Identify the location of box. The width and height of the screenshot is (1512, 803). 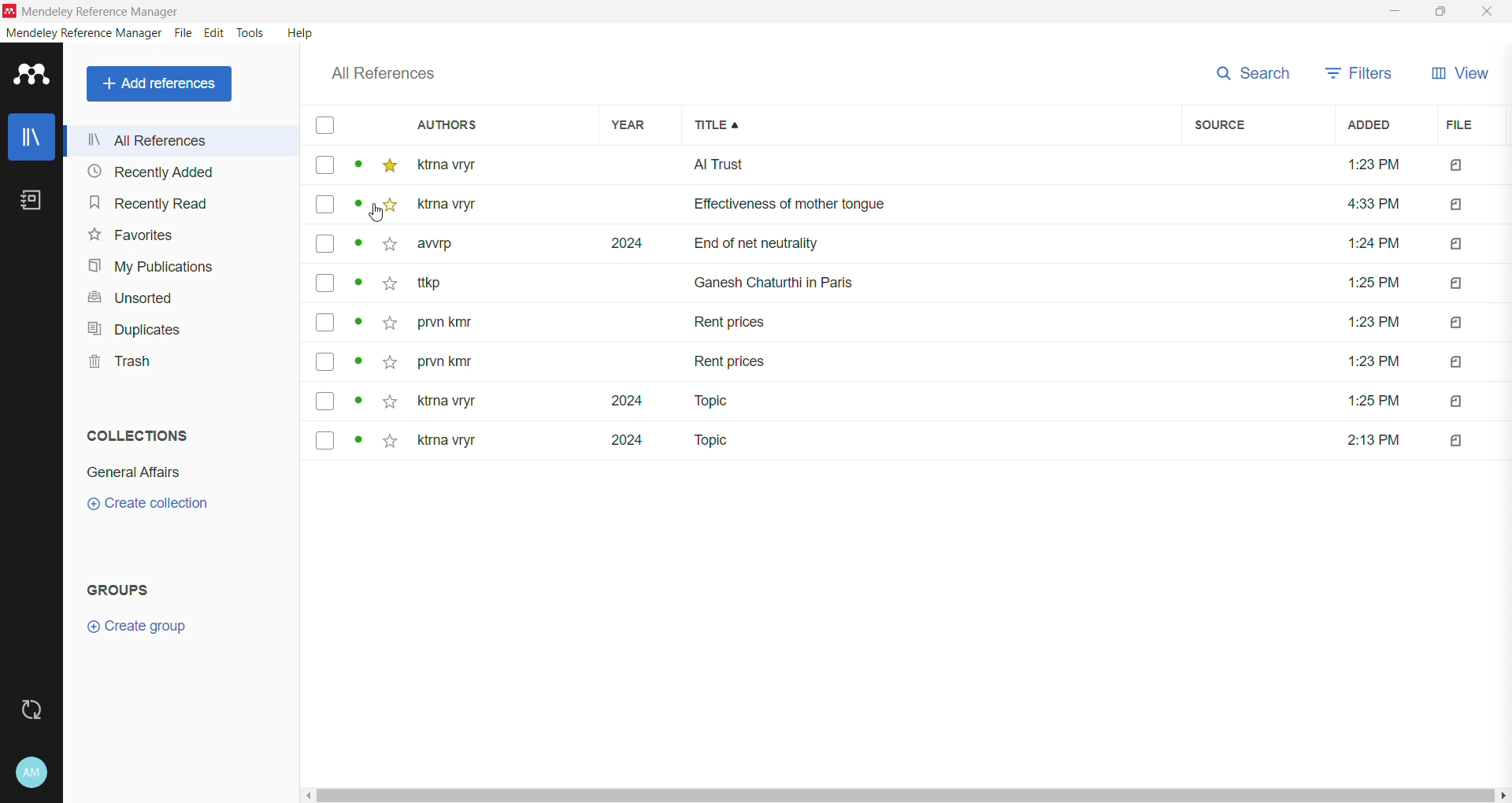
(324, 205).